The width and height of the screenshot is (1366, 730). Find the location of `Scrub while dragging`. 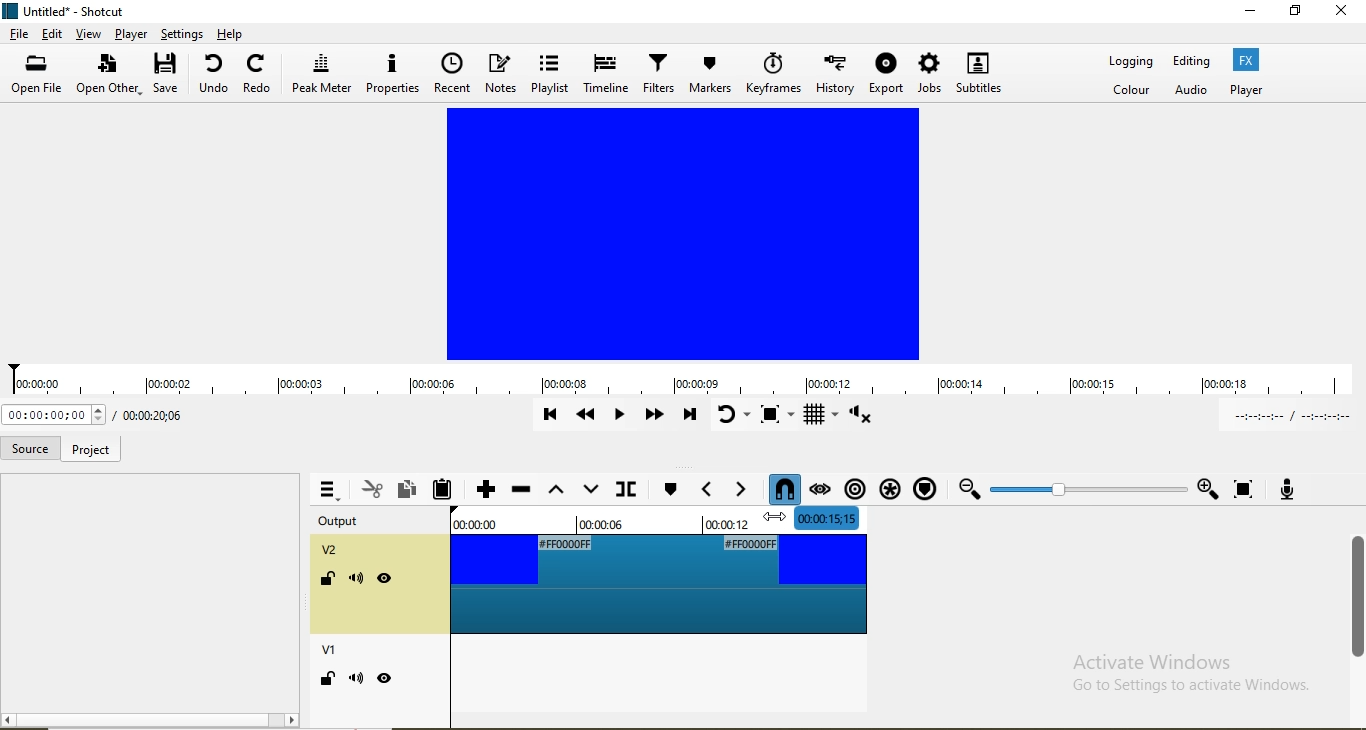

Scrub while dragging is located at coordinates (820, 486).